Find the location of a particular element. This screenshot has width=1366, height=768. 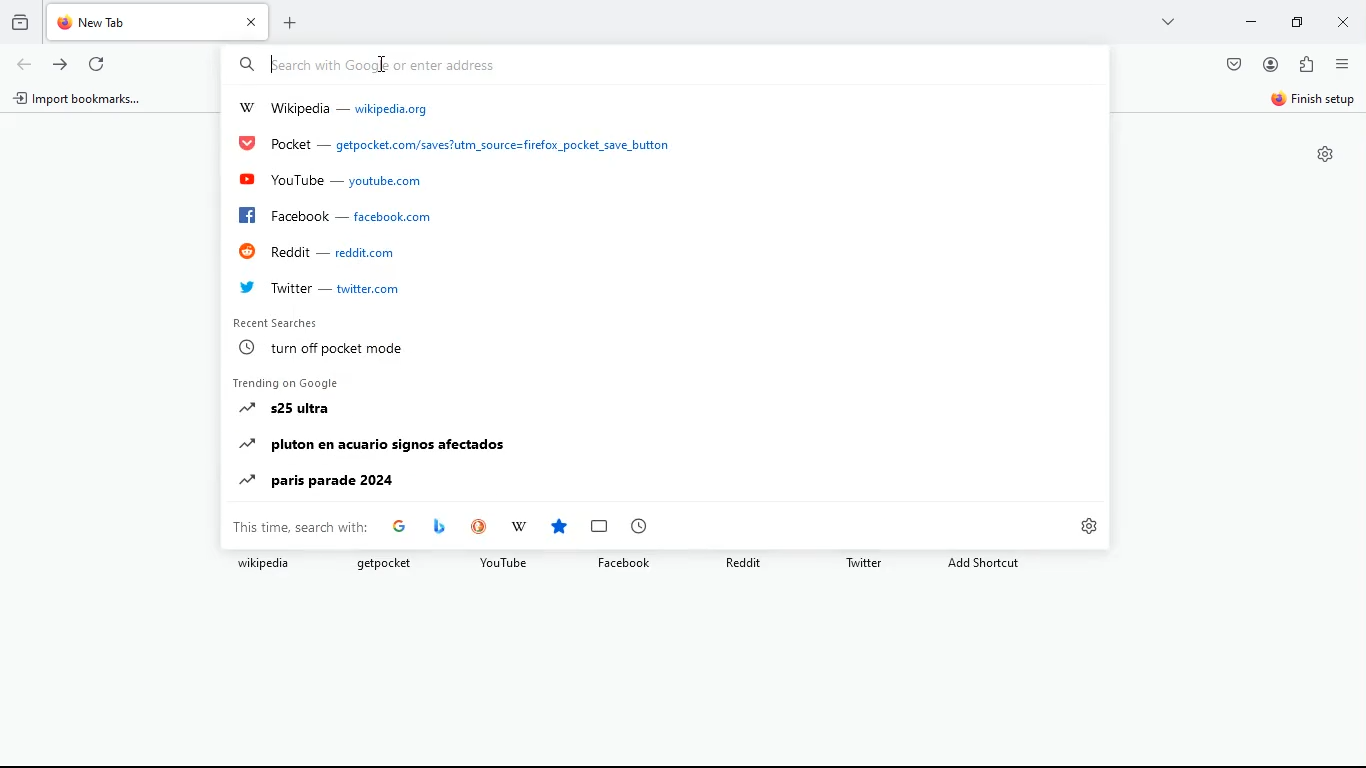

history is located at coordinates (21, 23).